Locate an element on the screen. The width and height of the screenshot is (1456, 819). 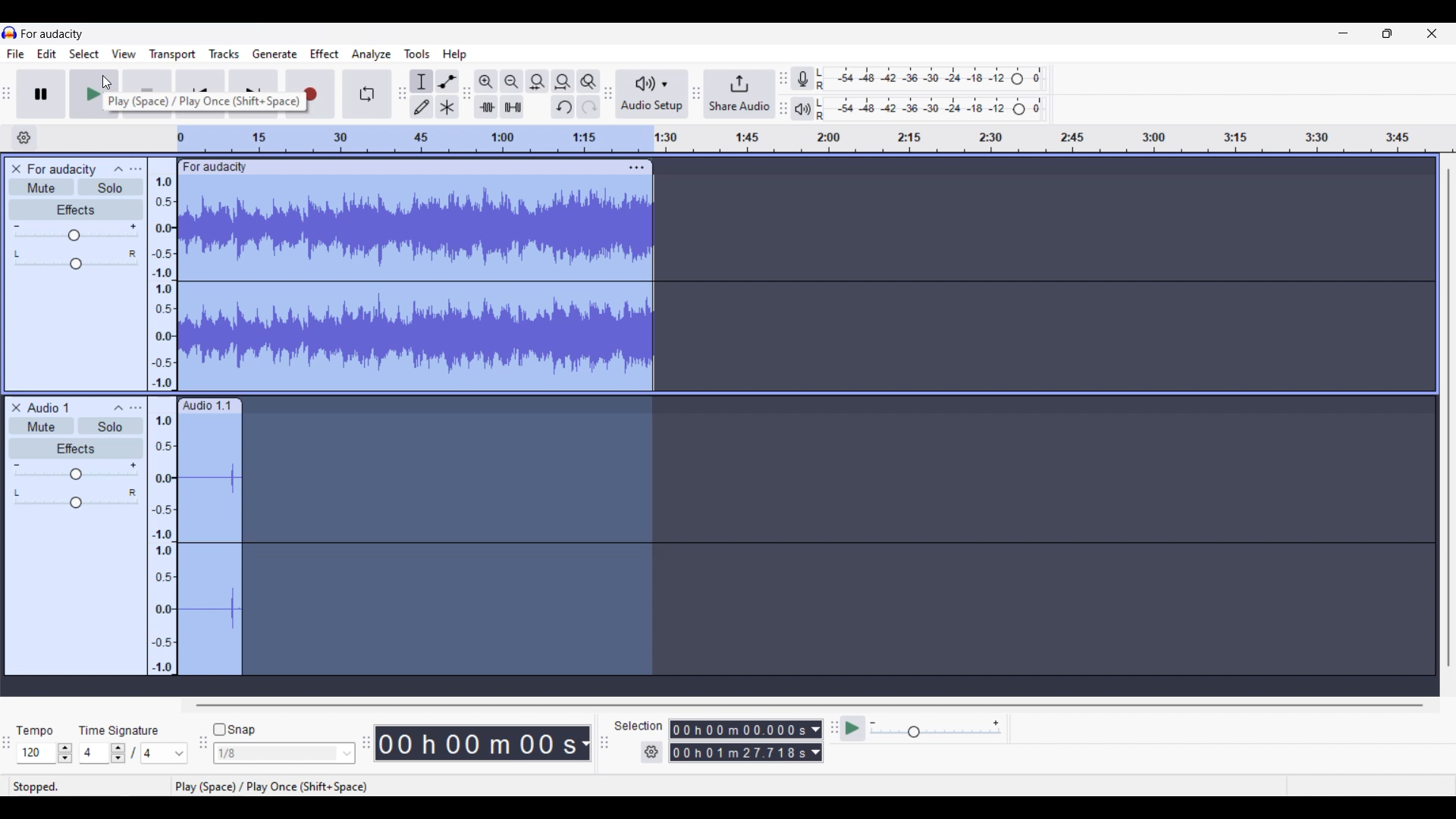
Collapse is located at coordinates (118, 168).